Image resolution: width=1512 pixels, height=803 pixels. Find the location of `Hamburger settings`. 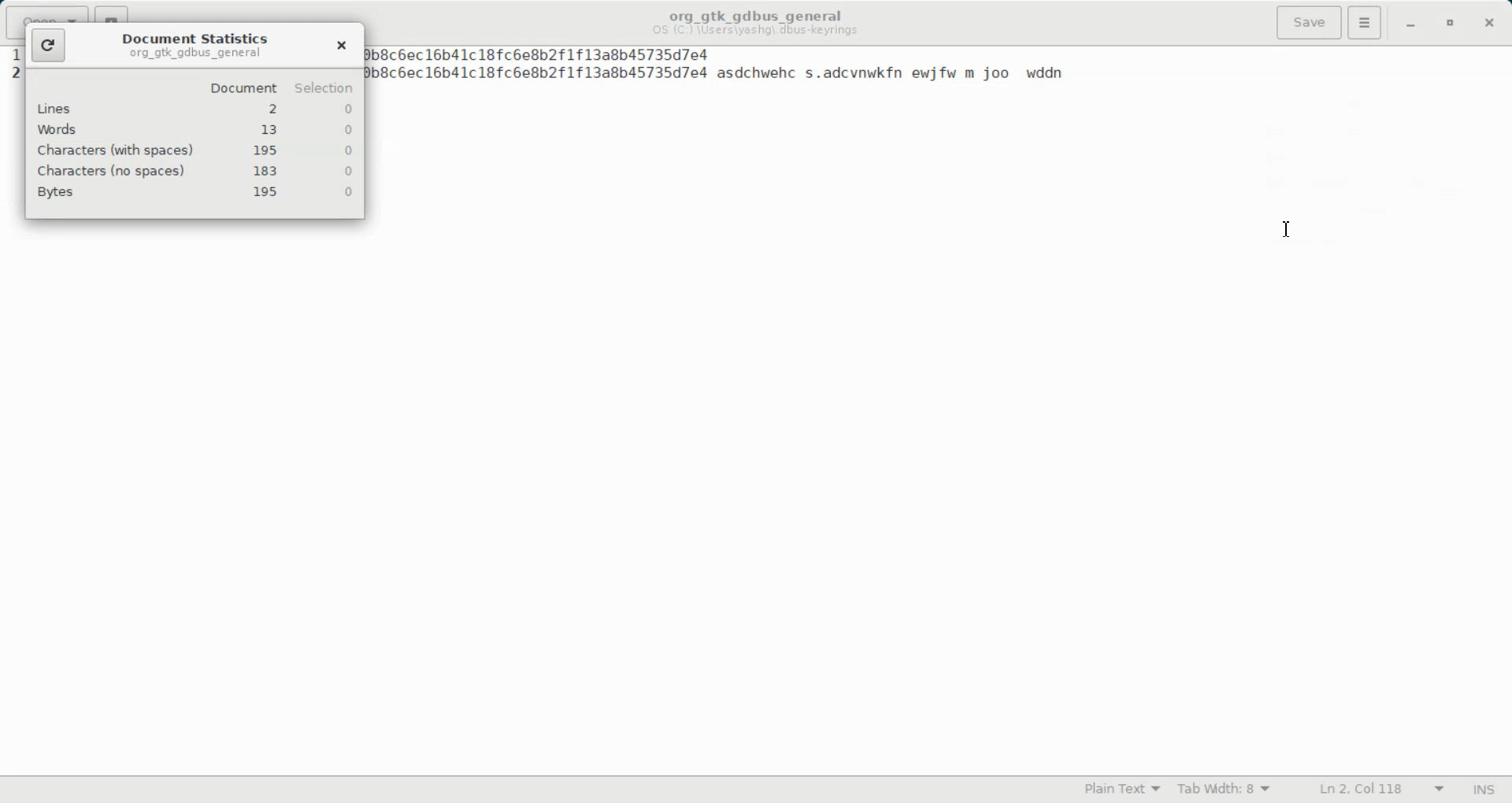

Hamburger settings is located at coordinates (1366, 23).